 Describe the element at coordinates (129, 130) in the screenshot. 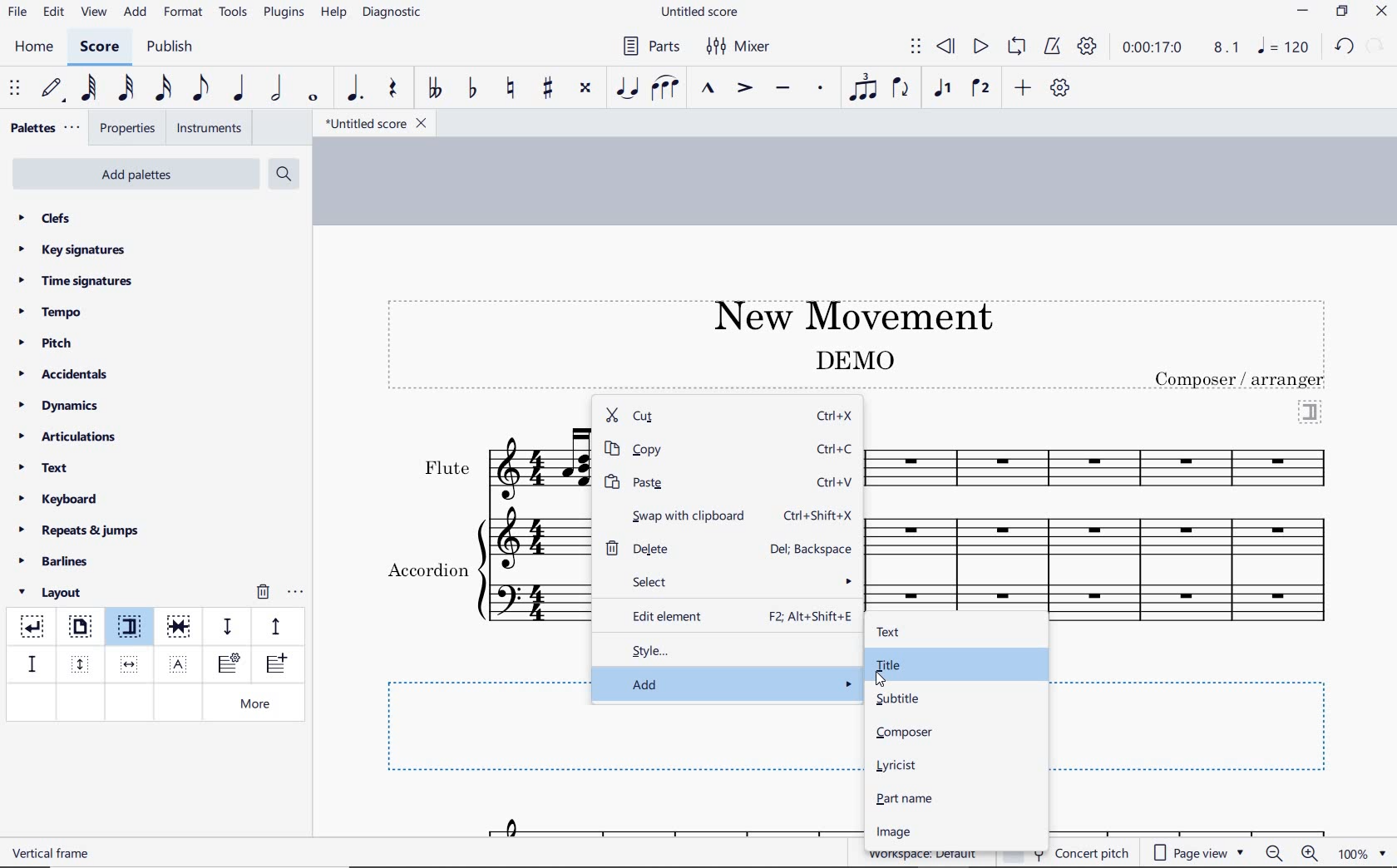

I see `properties` at that location.